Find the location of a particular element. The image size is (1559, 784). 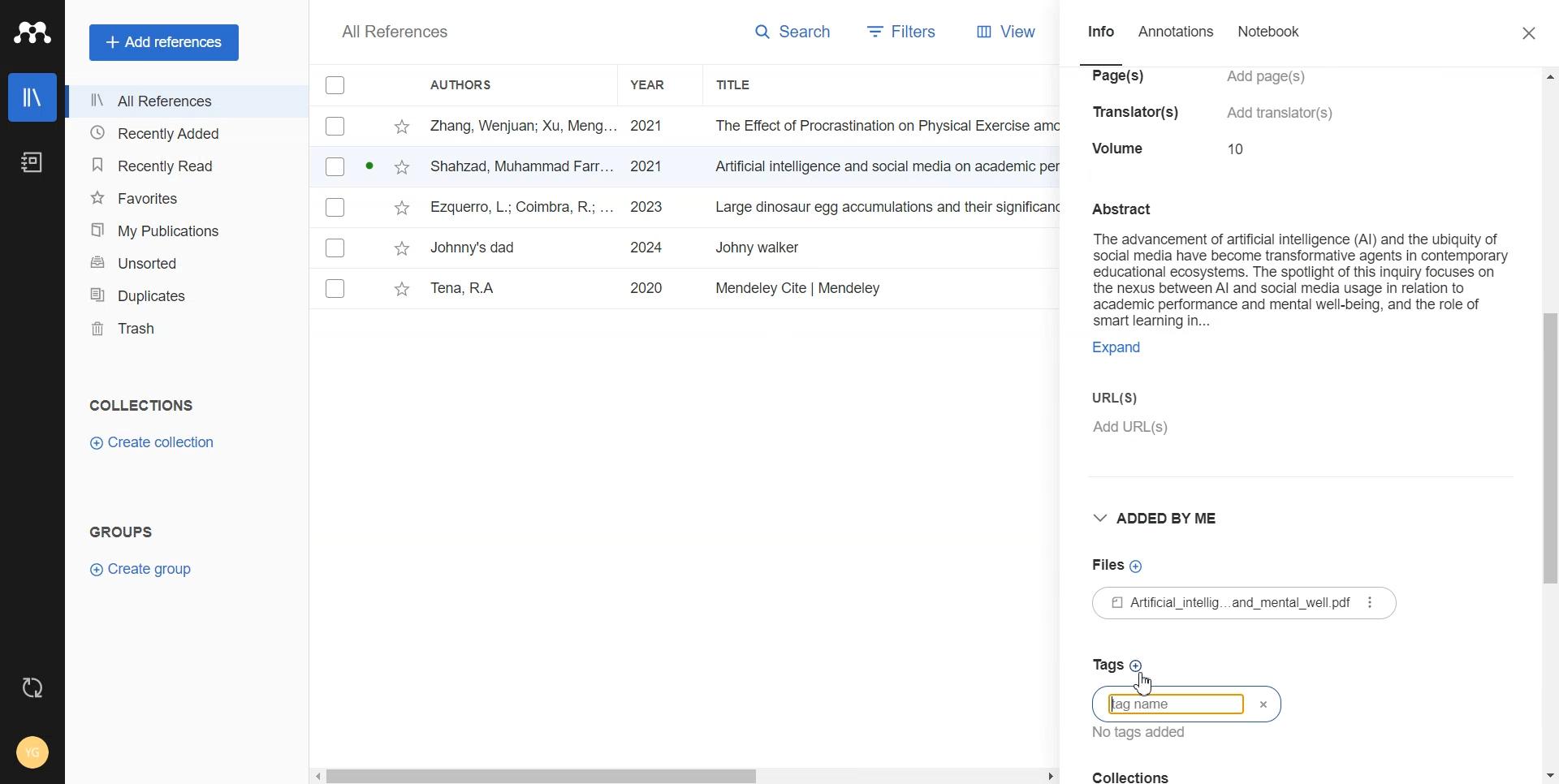

Cursor is located at coordinates (1146, 686).